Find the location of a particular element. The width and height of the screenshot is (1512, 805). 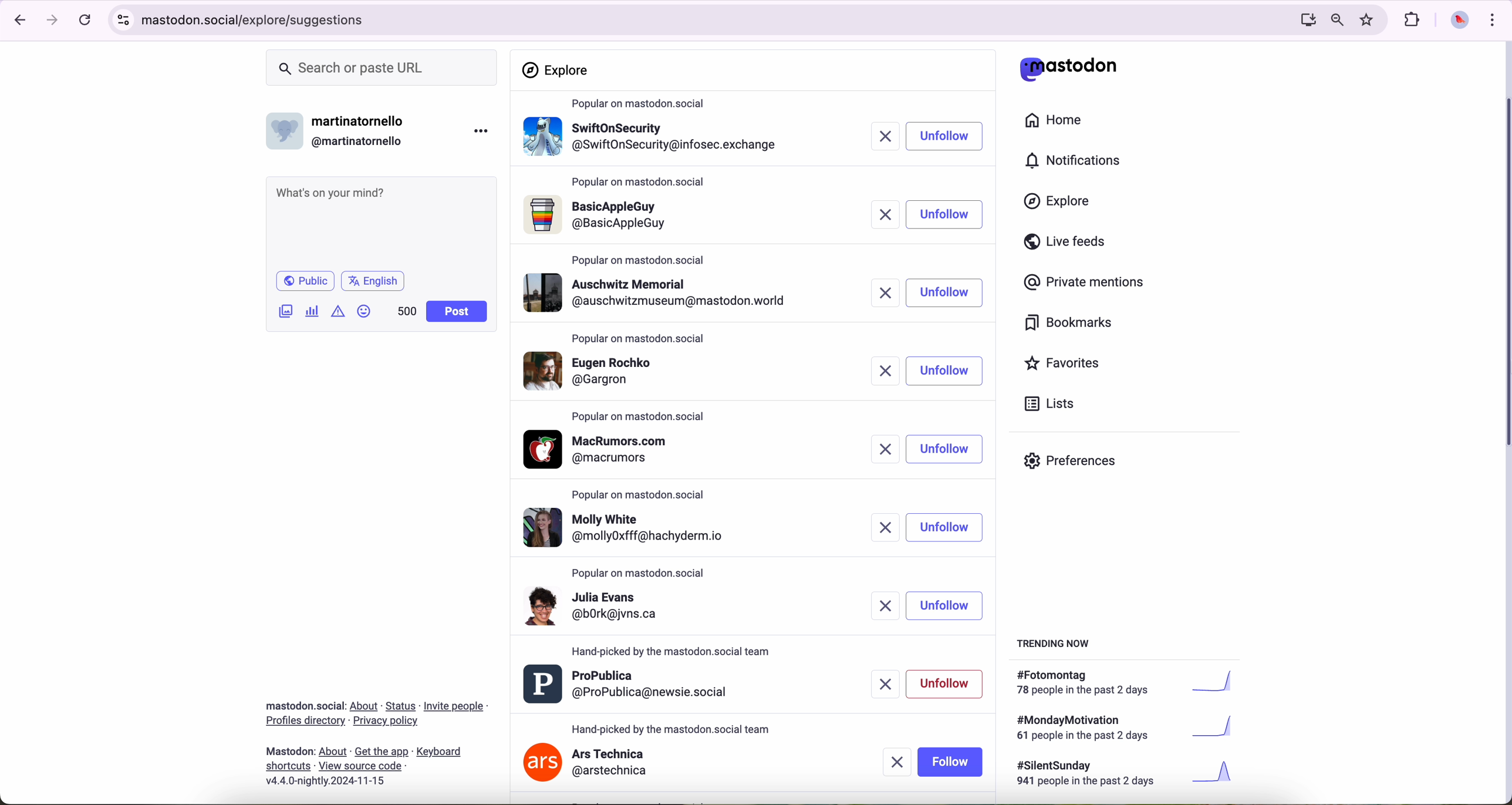

notifications is located at coordinates (1078, 161).